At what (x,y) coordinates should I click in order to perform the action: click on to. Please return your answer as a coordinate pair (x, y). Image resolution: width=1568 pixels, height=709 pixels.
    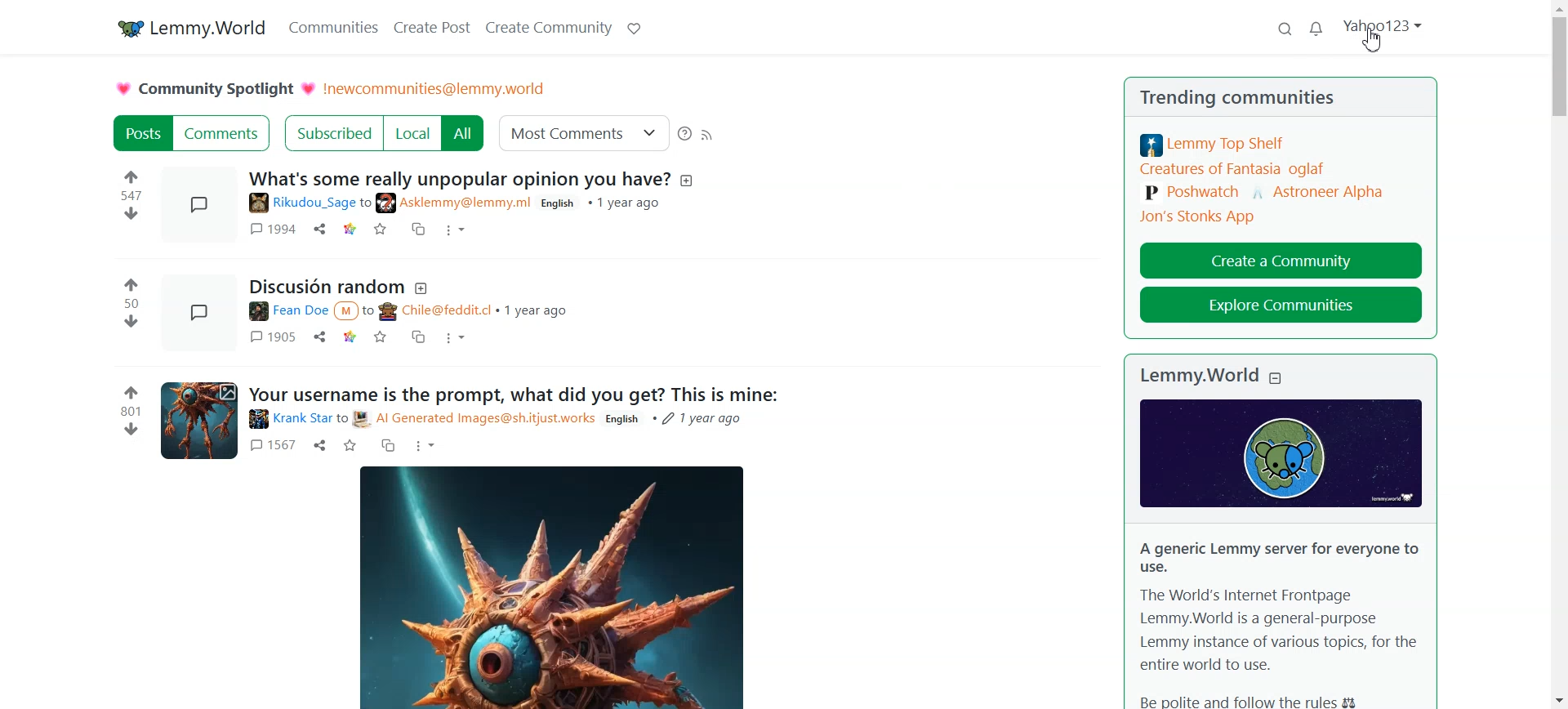
    Looking at the image, I should click on (367, 203).